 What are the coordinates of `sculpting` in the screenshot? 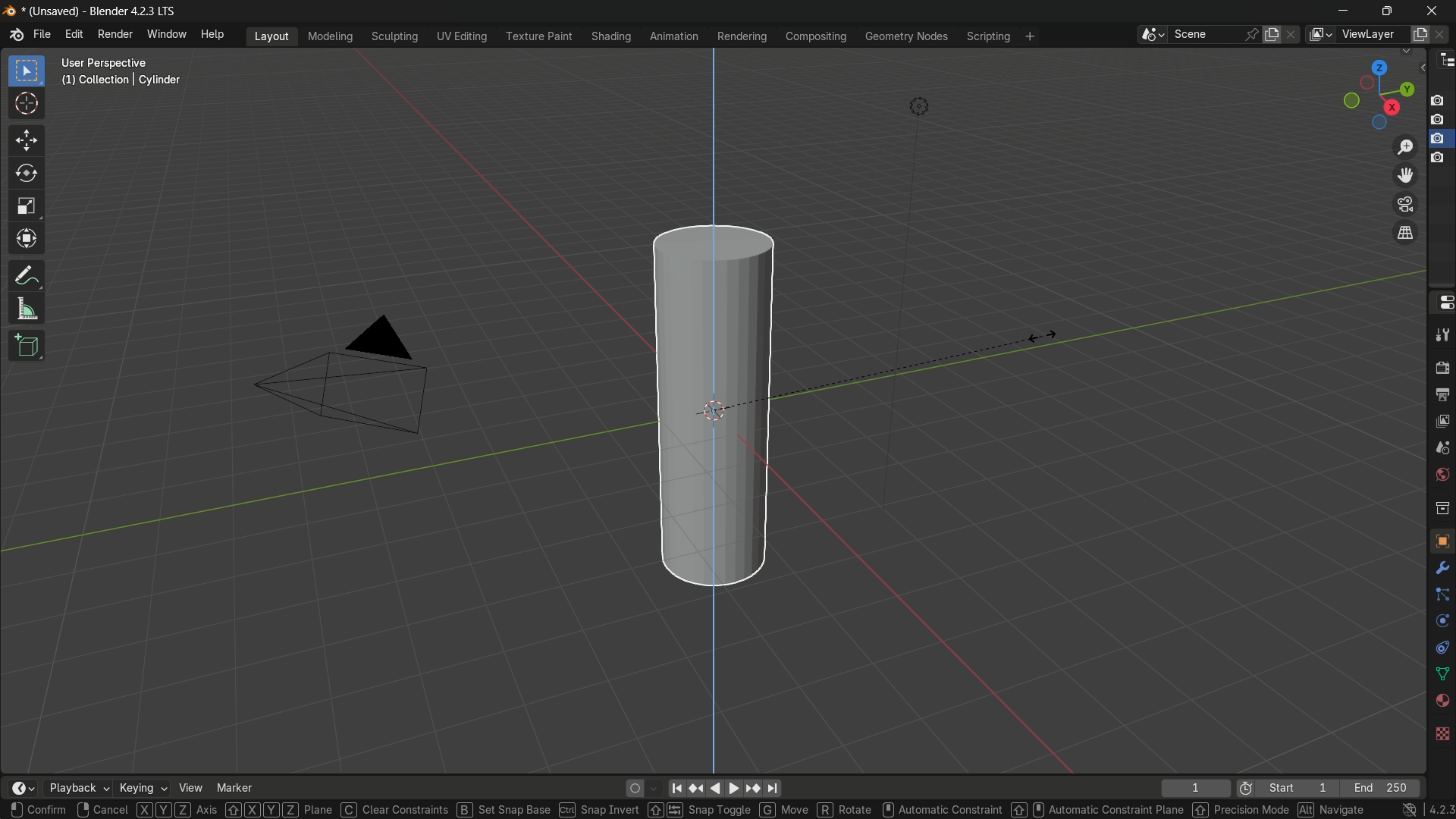 It's located at (395, 36).